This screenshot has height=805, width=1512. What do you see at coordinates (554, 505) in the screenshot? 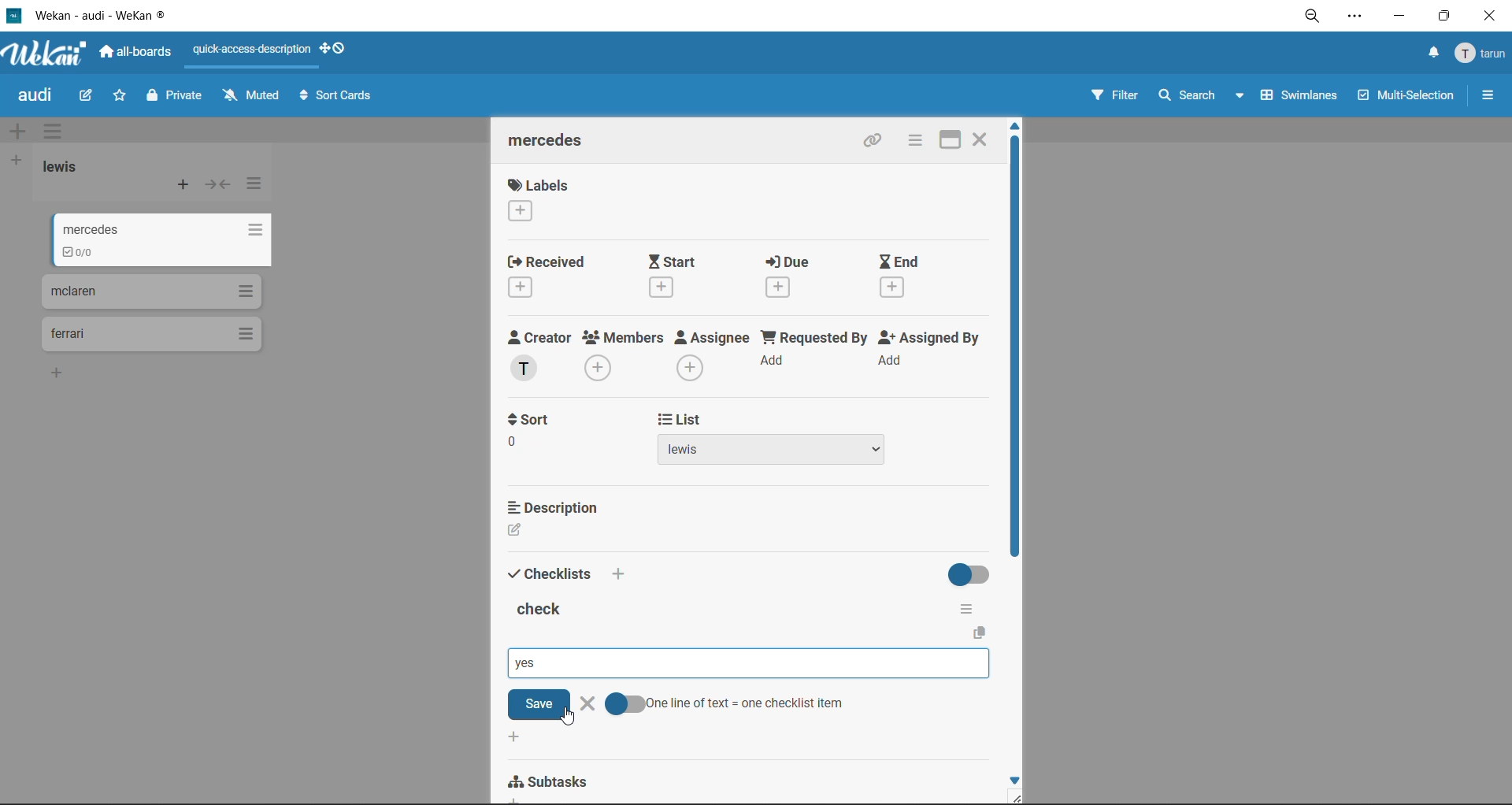
I see `description` at bounding box center [554, 505].